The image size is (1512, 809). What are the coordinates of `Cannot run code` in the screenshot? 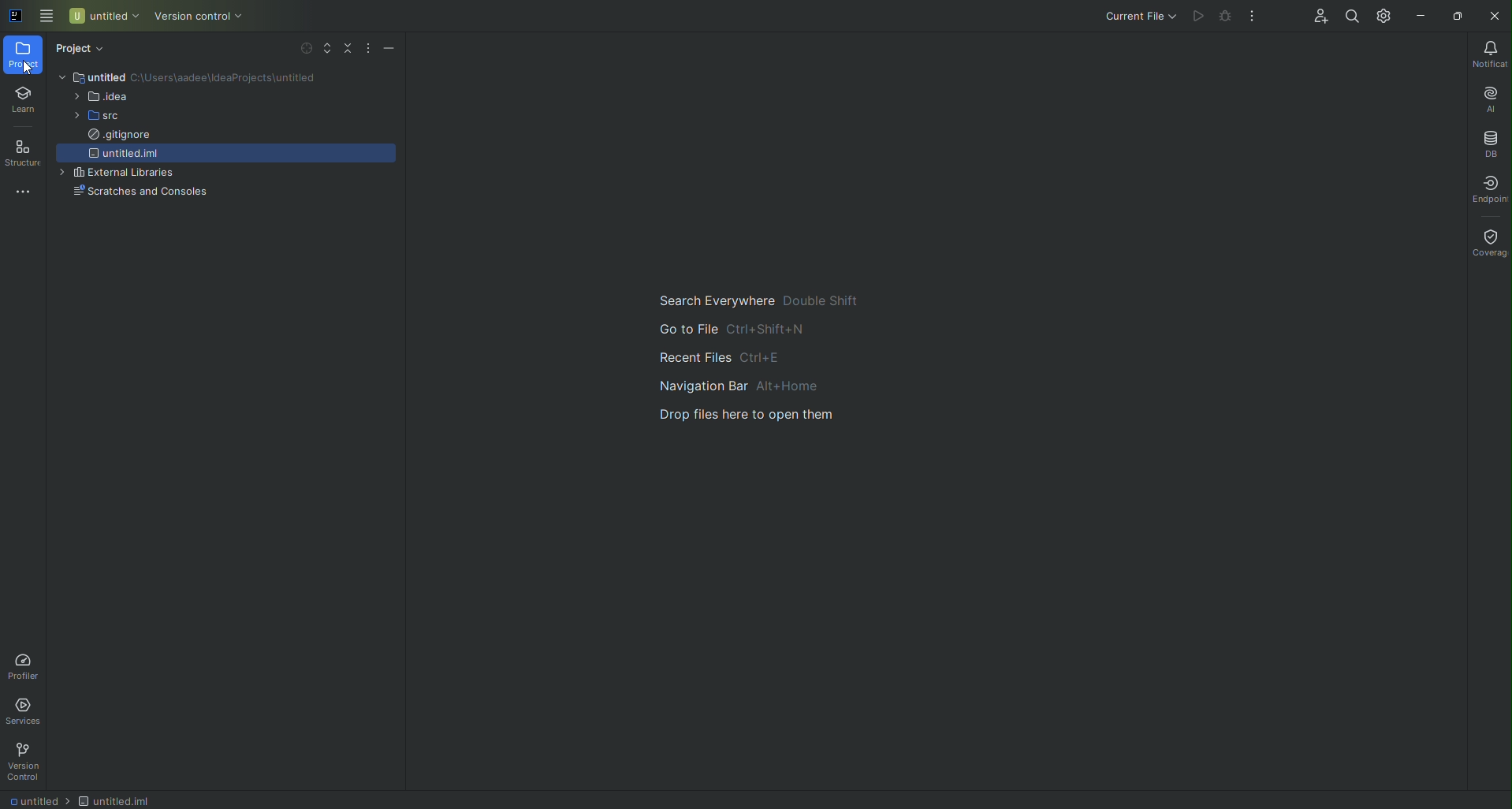 It's located at (1227, 17).